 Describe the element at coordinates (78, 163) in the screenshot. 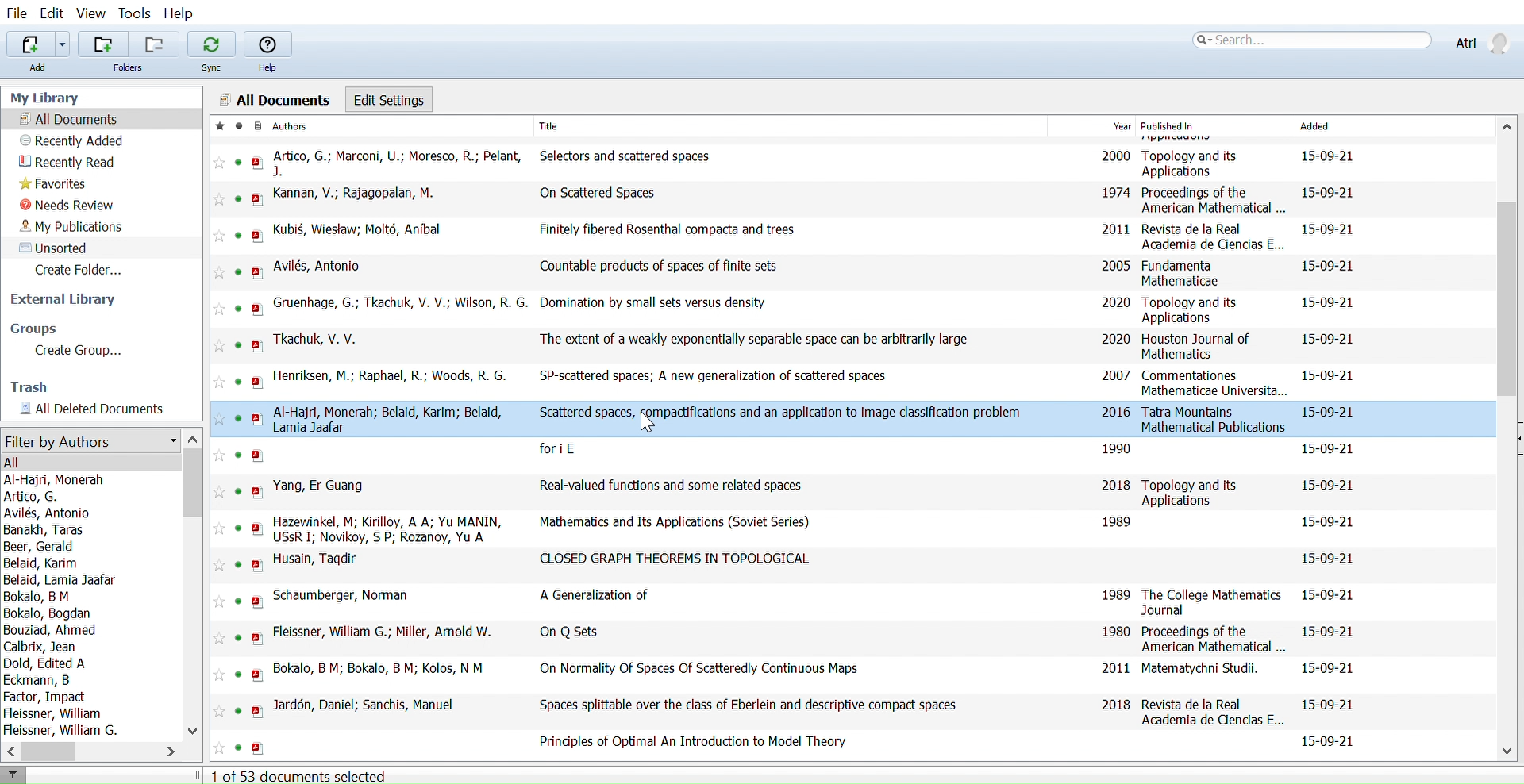

I see `Recently read` at that location.